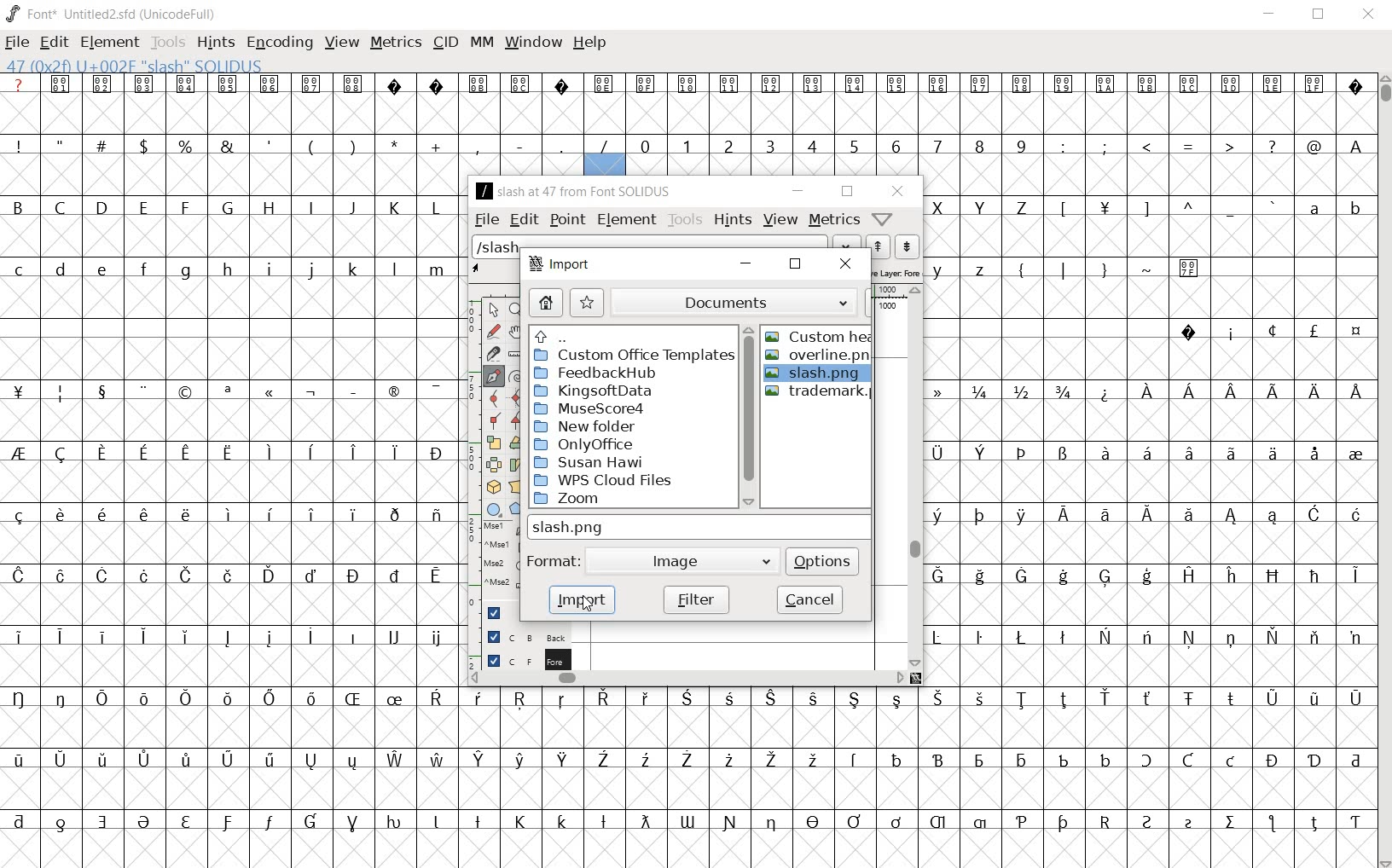 The image size is (1392, 868). Describe the element at coordinates (493, 466) in the screenshot. I see `flip the selection` at that location.